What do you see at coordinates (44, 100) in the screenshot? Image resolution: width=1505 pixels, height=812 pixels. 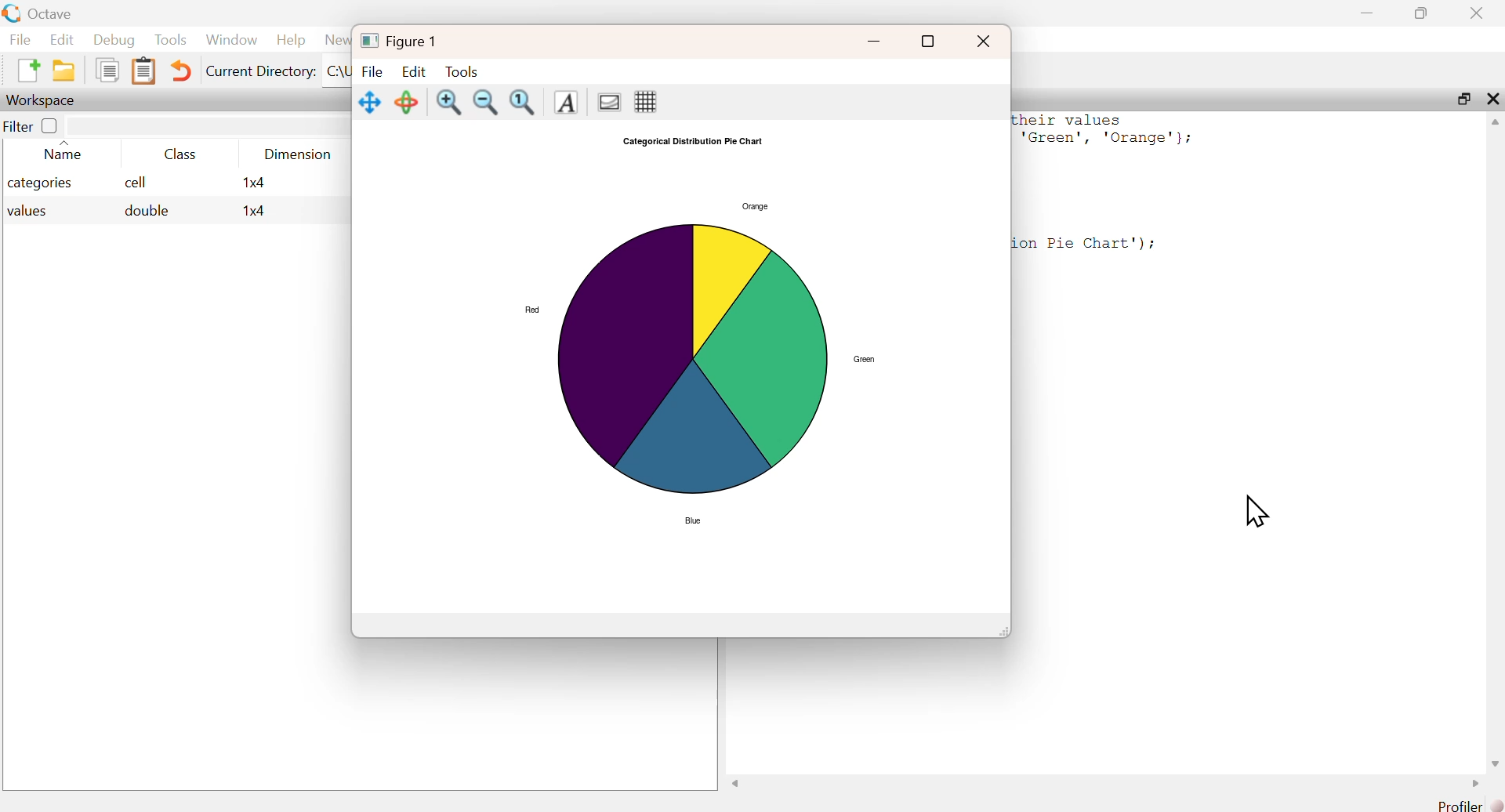 I see `Workspace` at bounding box center [44, 100].